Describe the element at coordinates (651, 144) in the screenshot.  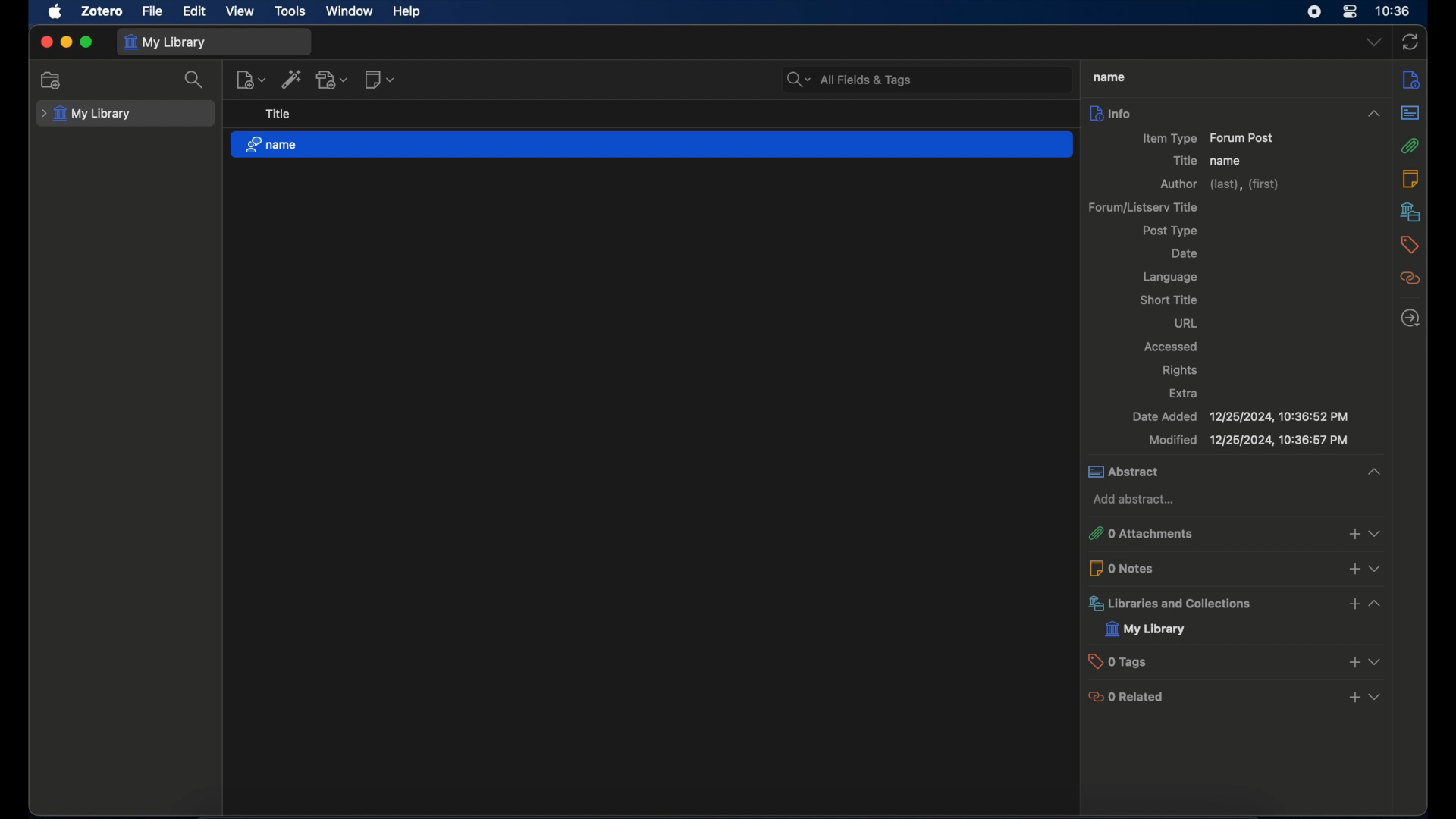
I see `name` at that location.